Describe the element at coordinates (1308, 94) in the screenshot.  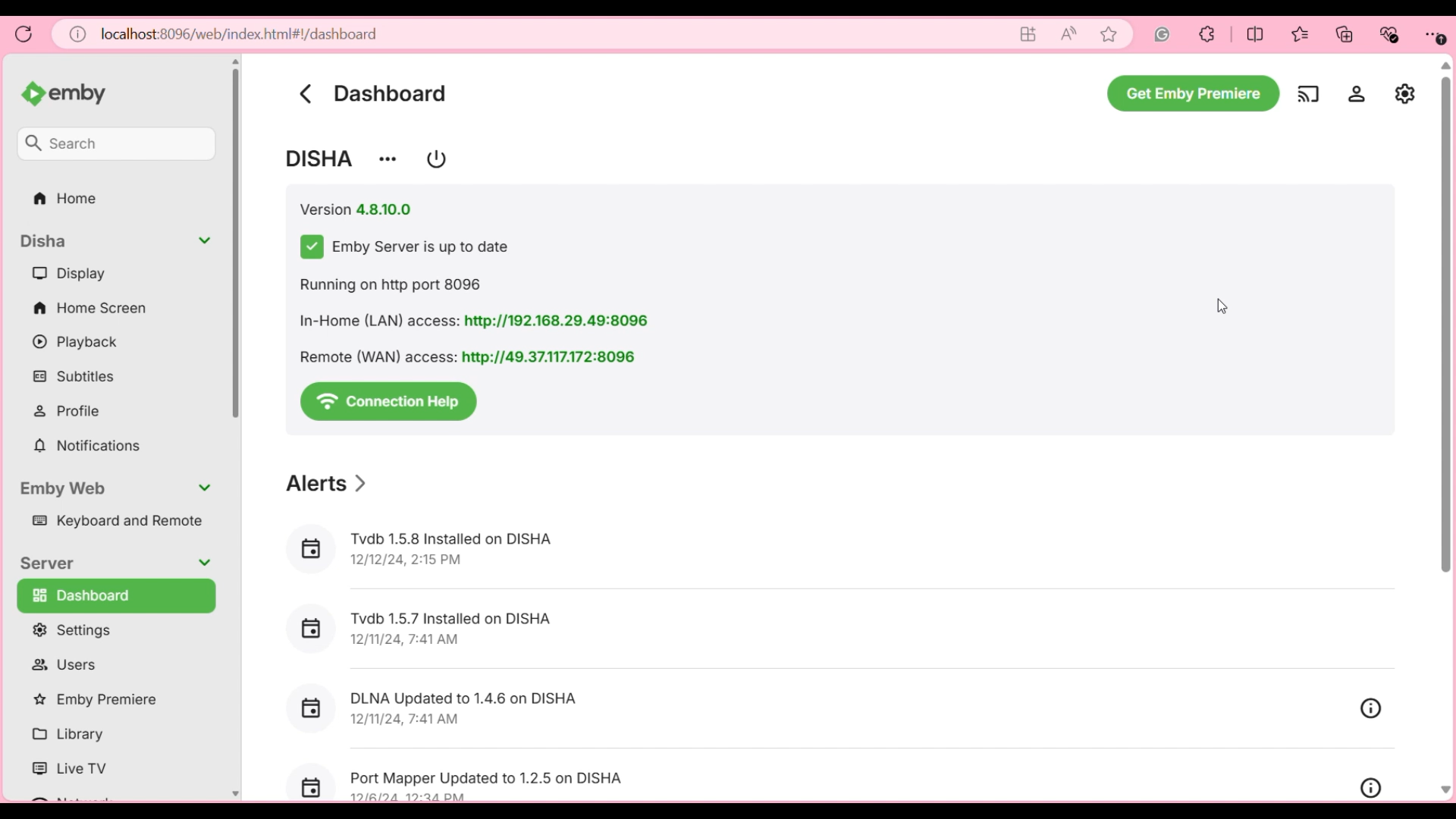
I see `Play on another device` at that location.